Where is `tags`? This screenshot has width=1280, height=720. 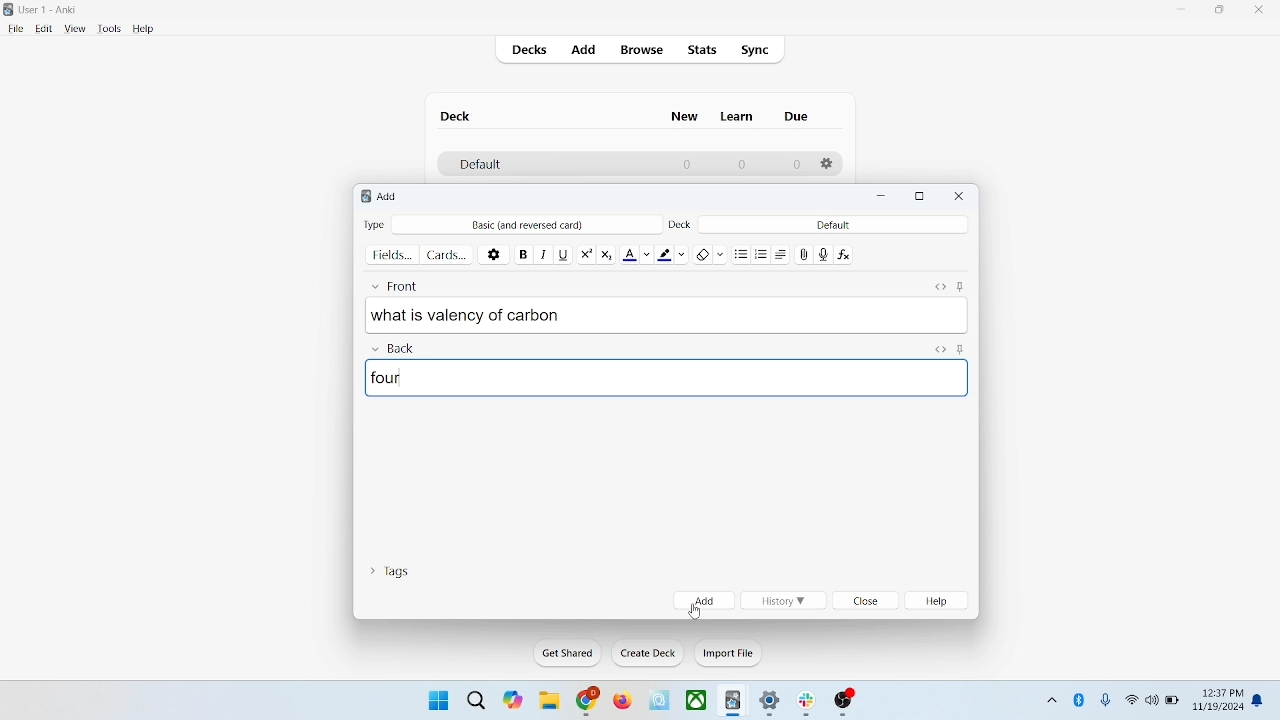
tags is located at coordinates (389, 569).